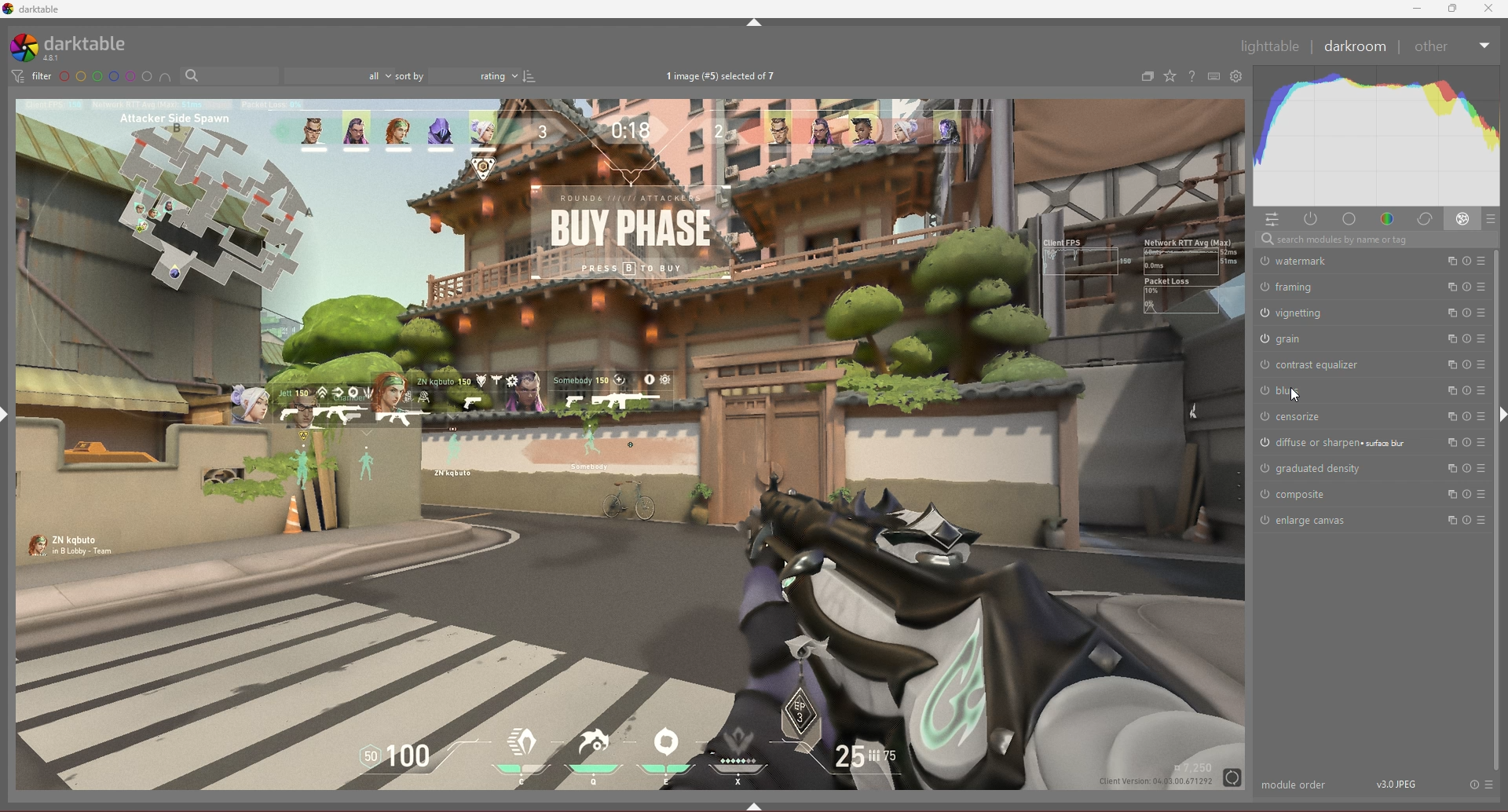  What do you see at coordinates (1323, 339) in the screenshot?
I see `grain` at bounding box center [1323, 339].